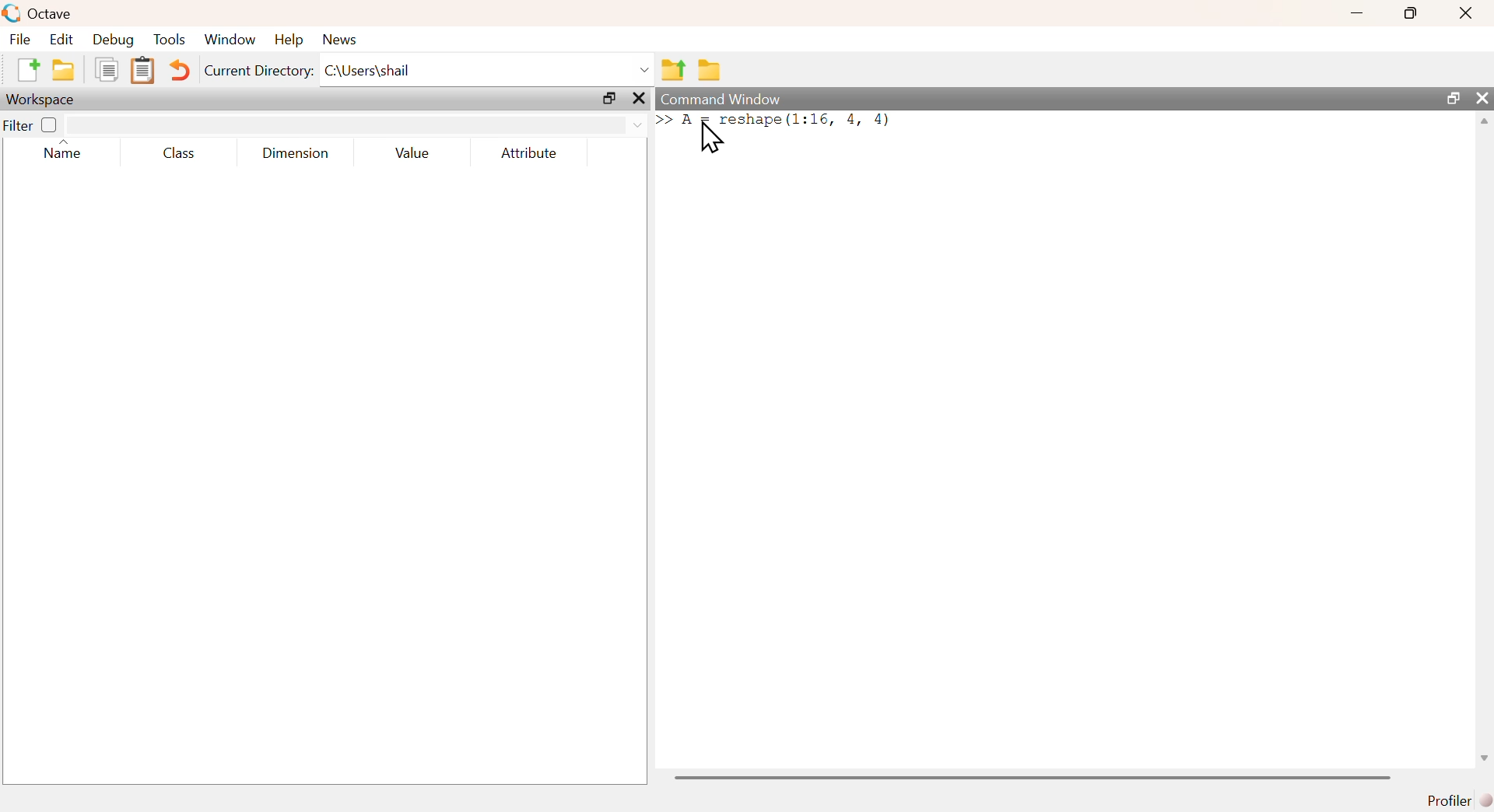 Image resolution: width=1494 pixels, height=812 pixels. Describe the element at coordinates (641, 99) in the screenshot. I see `close` at that location.